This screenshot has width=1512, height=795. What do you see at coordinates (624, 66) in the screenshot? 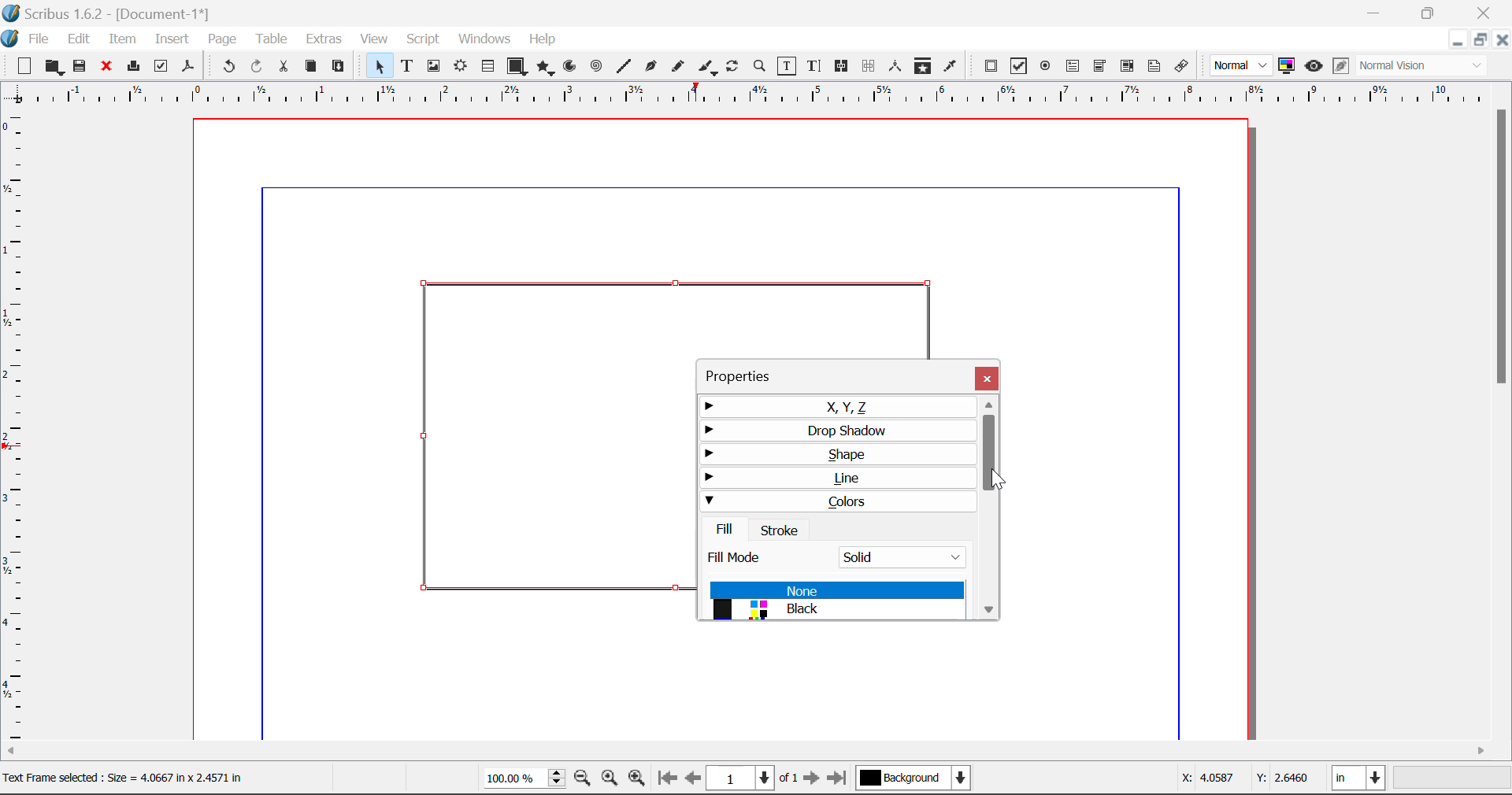
I see `Line` at bounding box center [624, 66].